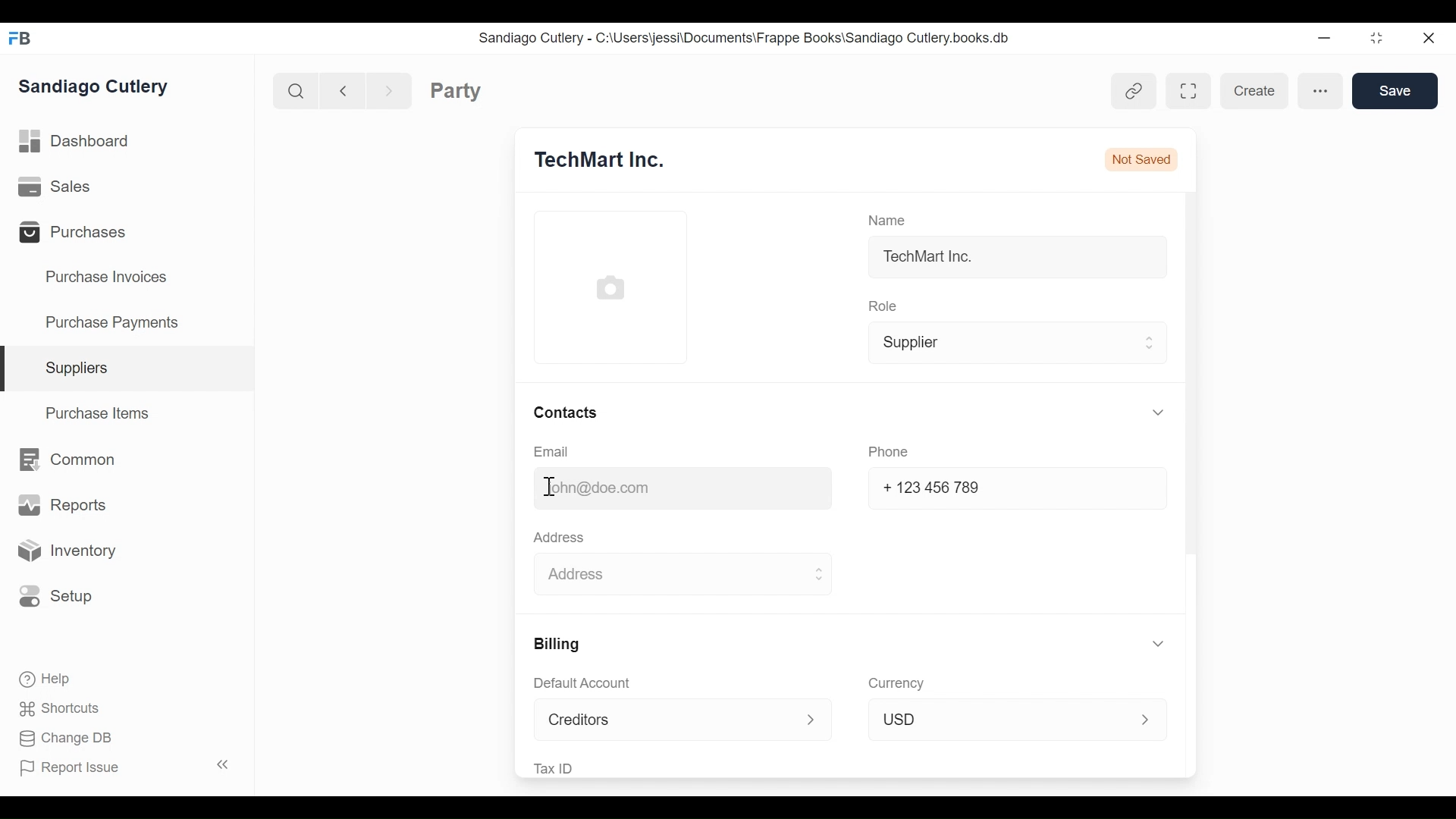 Image resolution: width=1456 pixels, height=819 pixels. I want to click on Name, so click(889, 218).